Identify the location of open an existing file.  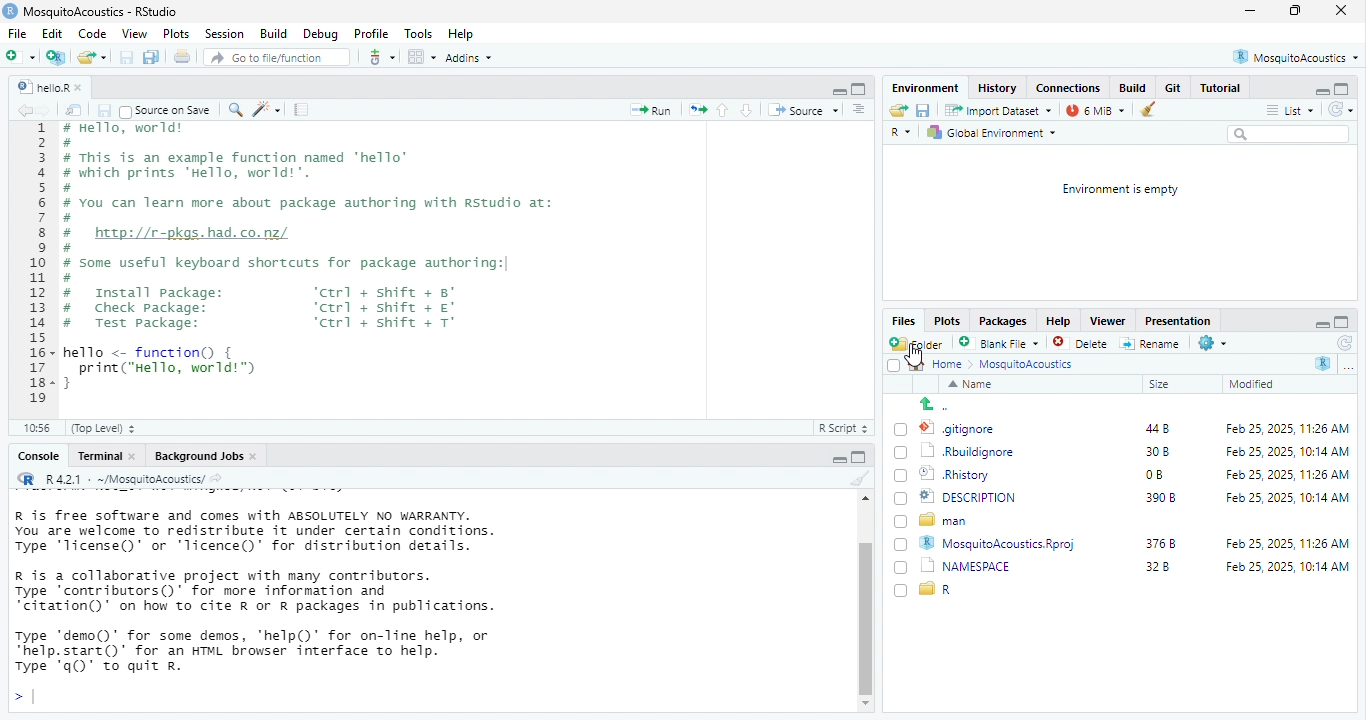
(900, 112).